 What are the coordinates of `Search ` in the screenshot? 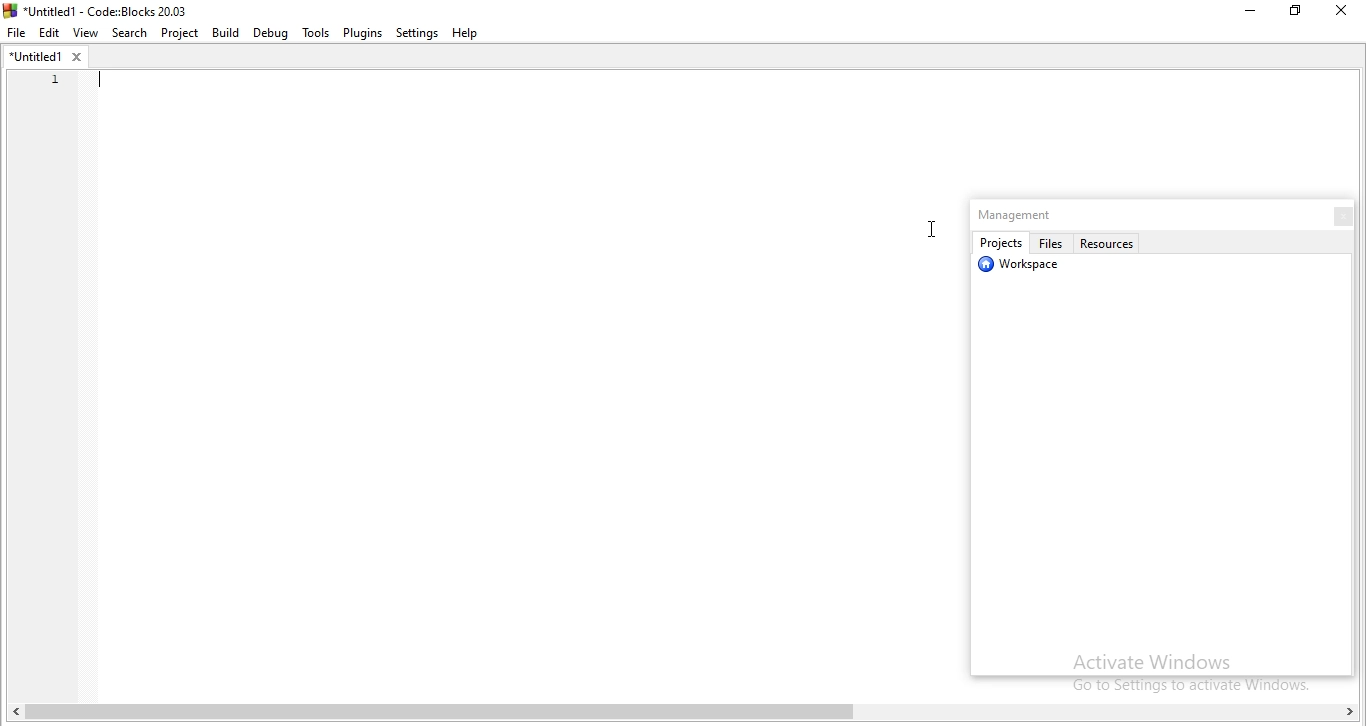 It's located at (130, 33).